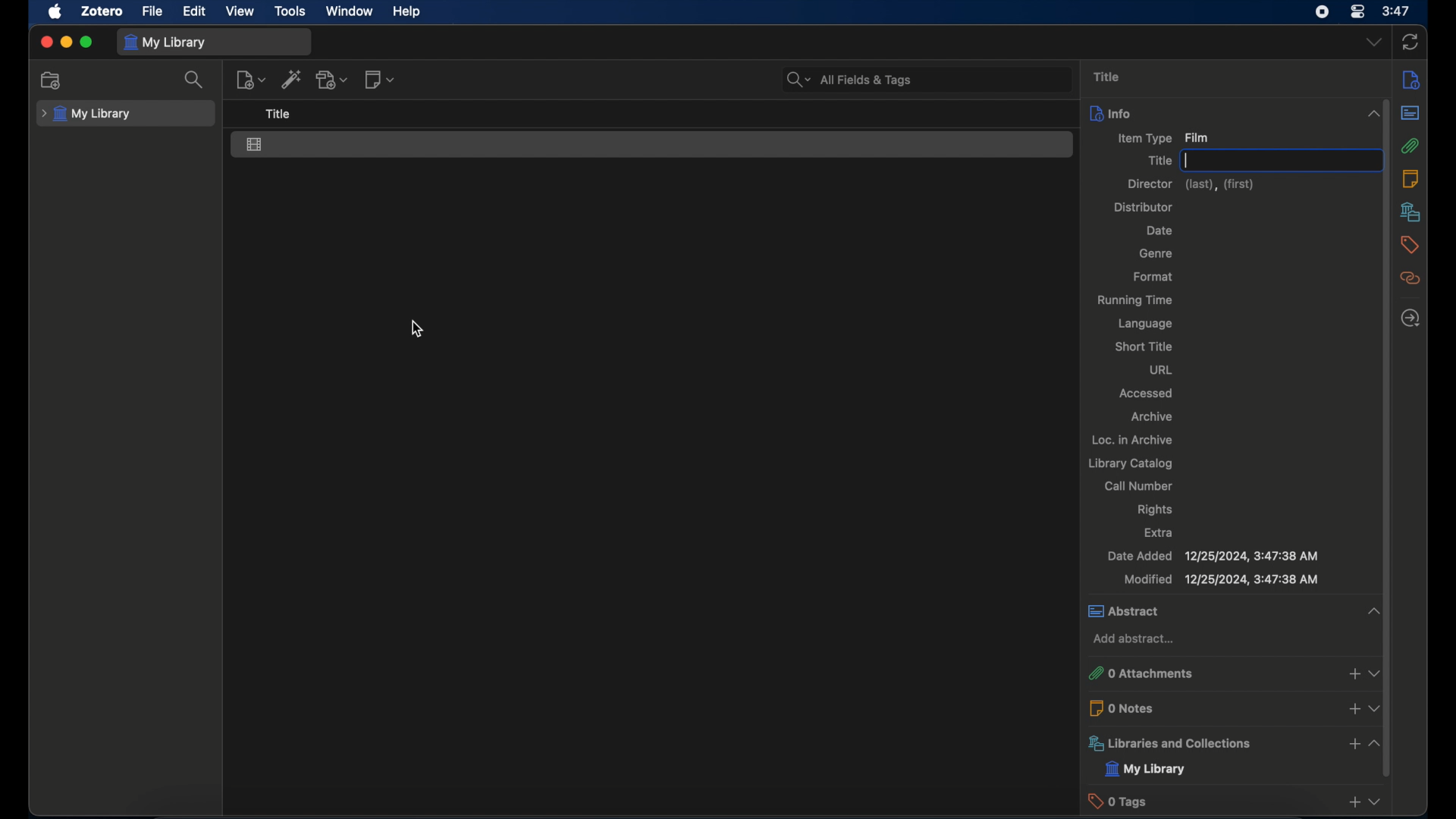 The height and width of the screenshot is (819, 1456). Describe the element at coordinates (1151, 416) in the screenshot. I see `archive` at that location.